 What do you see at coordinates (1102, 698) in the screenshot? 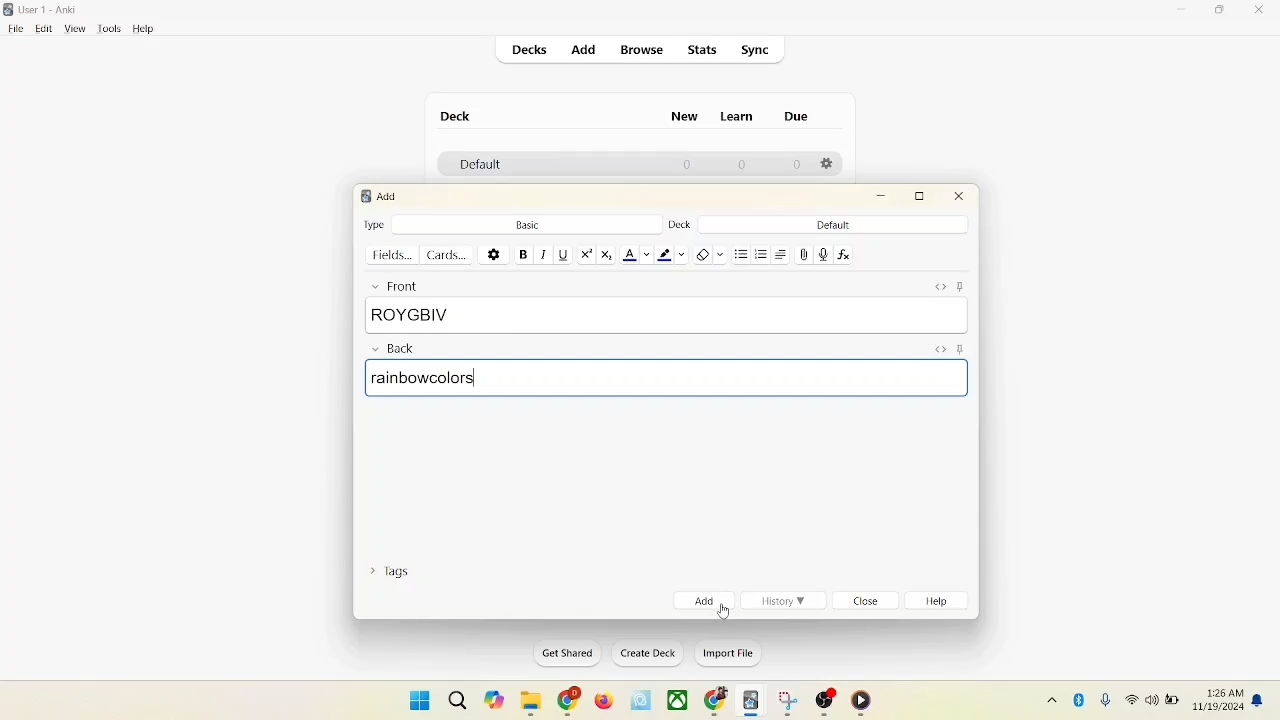
I see `microphone` at bounding box center [1102, 698].